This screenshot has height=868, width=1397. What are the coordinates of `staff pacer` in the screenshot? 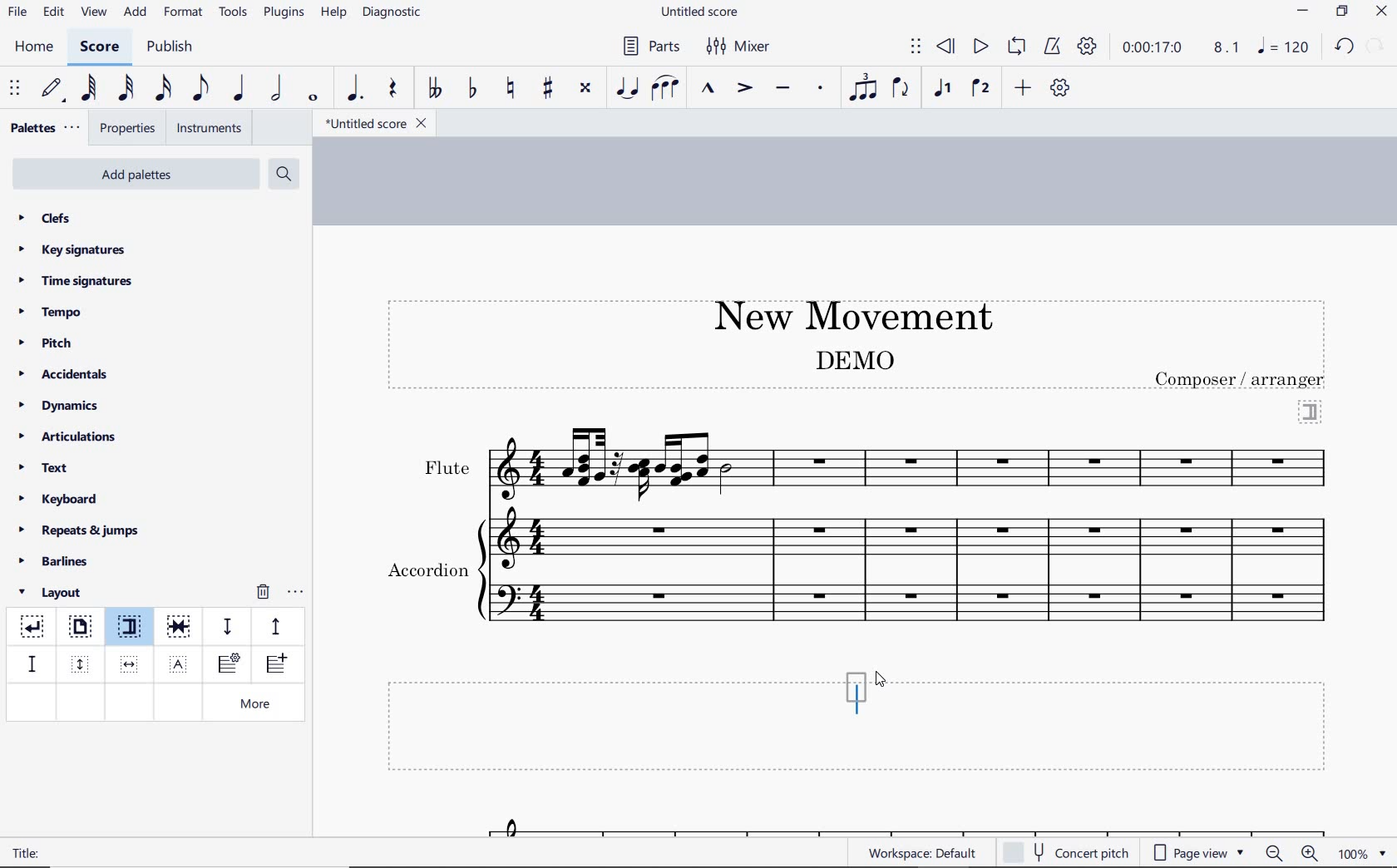 It's located at (274, 625).